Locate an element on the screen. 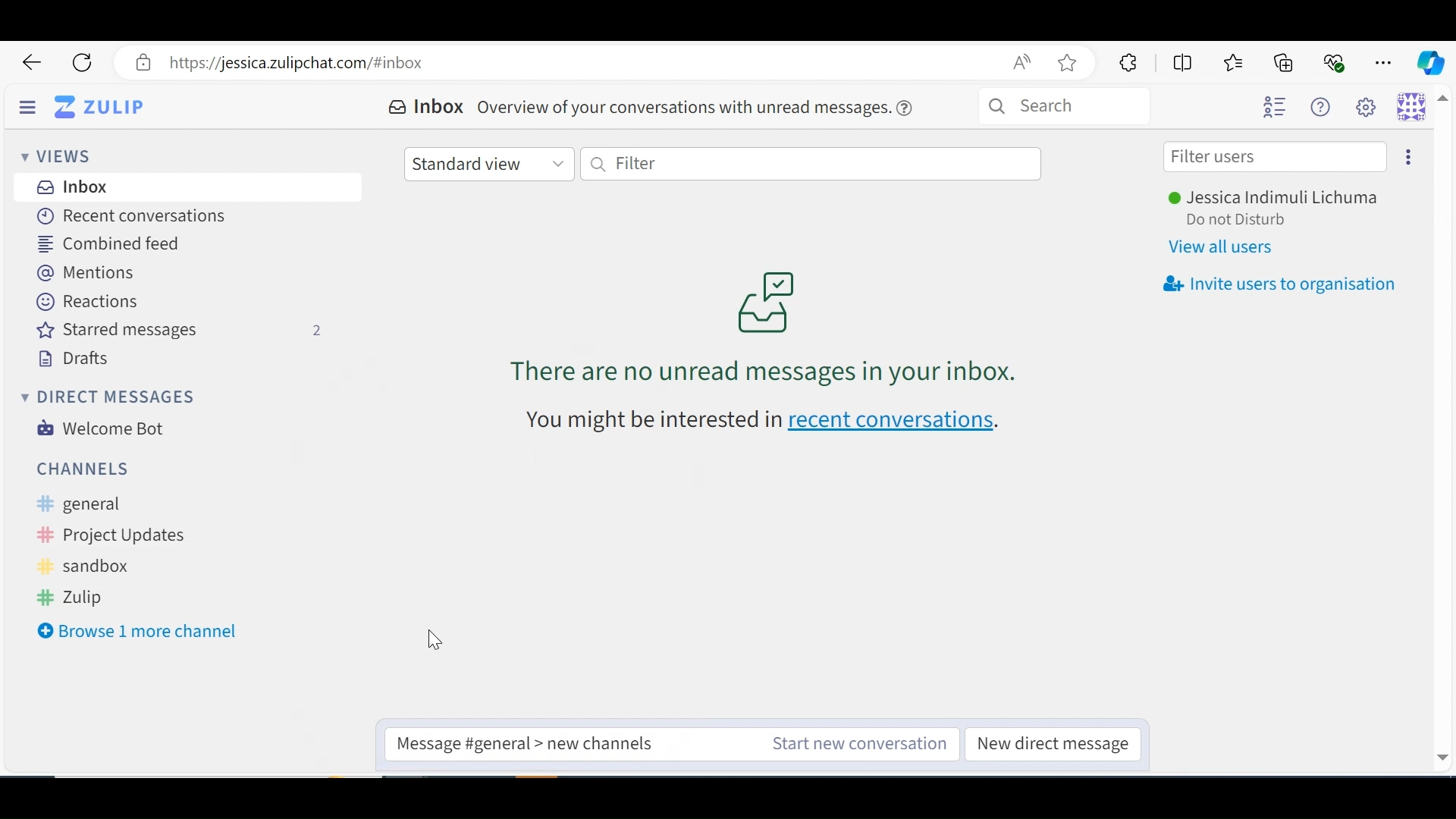 The height and width of the screenshot is (819, 1456). Hide Sidebar is located at coordinates (28, 105).